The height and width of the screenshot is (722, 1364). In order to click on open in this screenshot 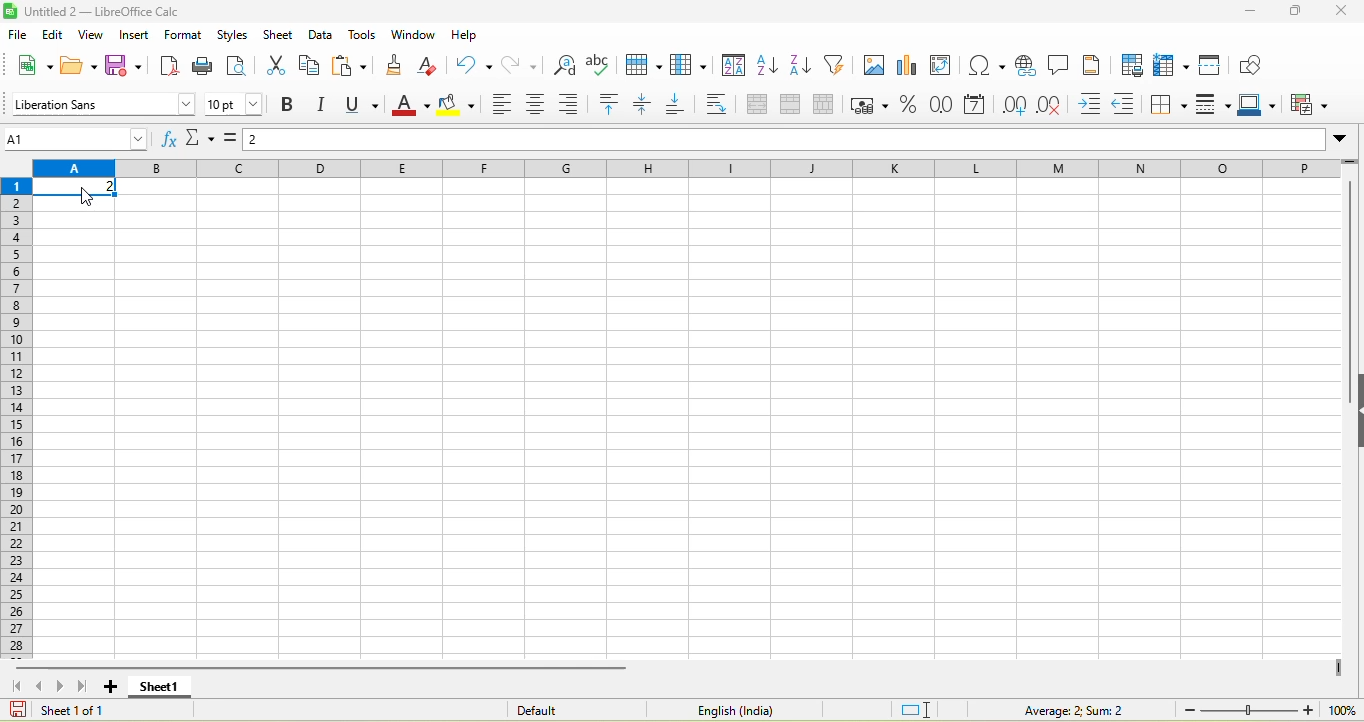, I will do `click(82, 64)`.